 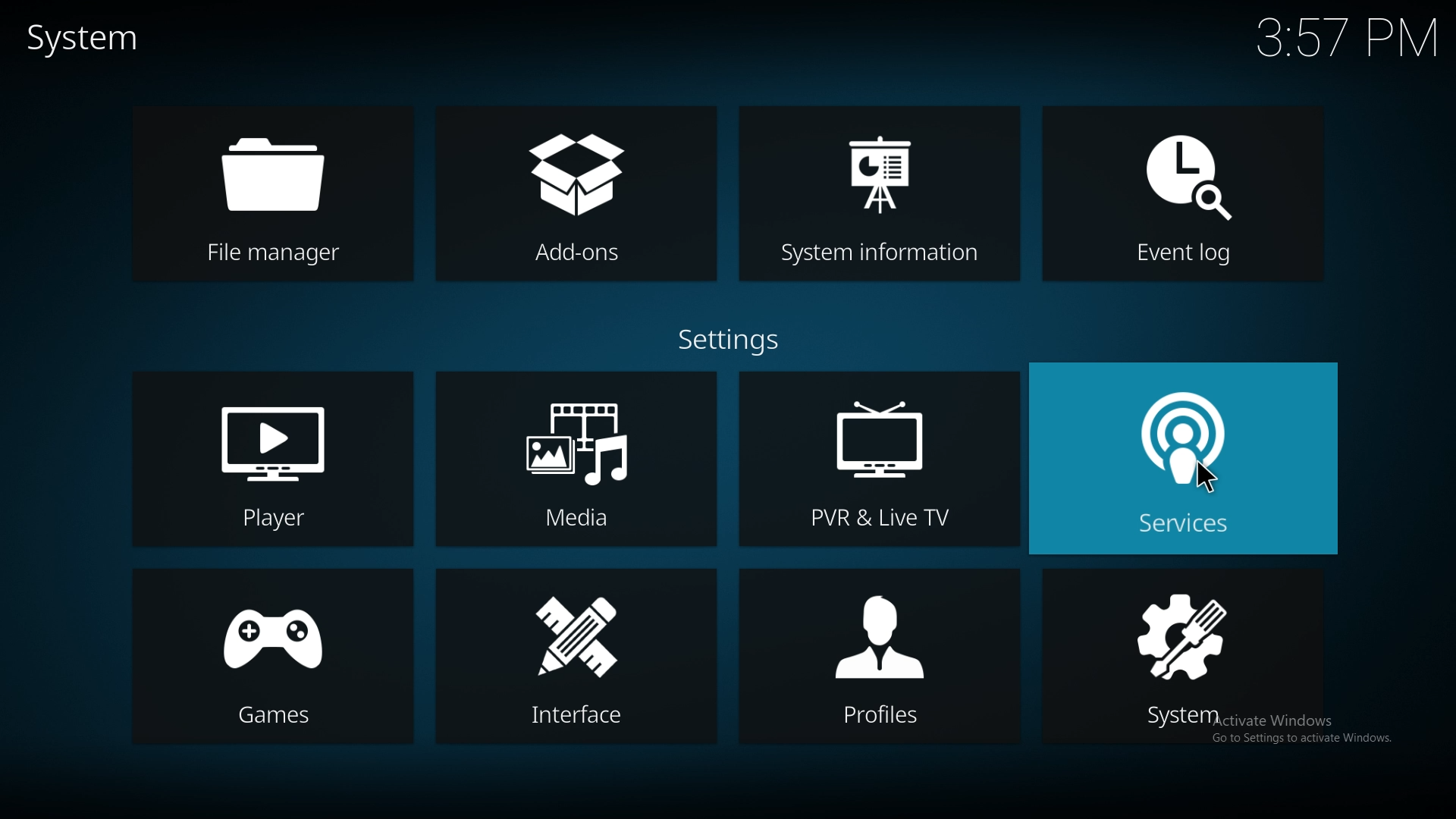 I want to click on system info, so click(x=878, y=191).